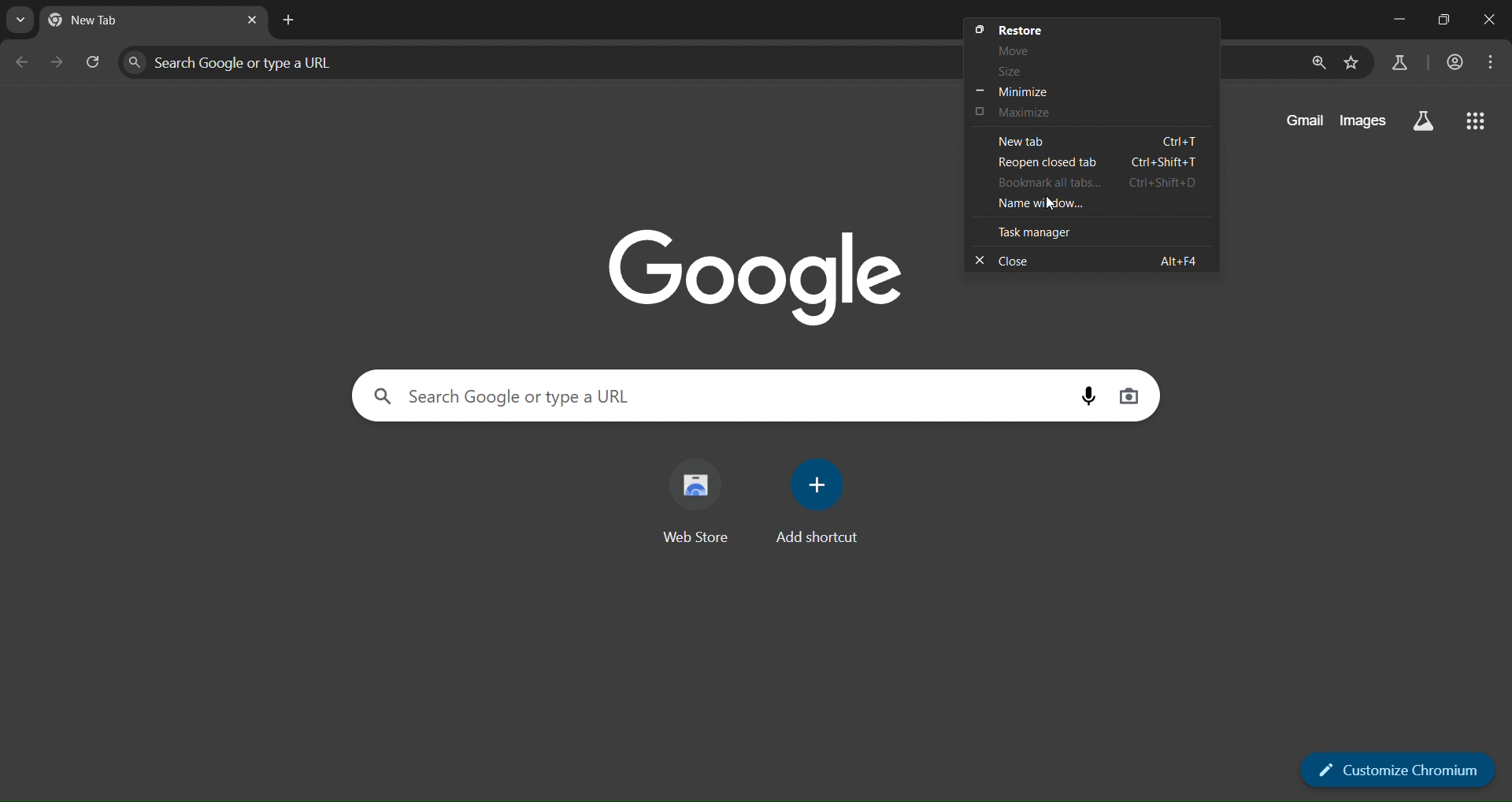  I want to click on search tabs, so click(20, 20).